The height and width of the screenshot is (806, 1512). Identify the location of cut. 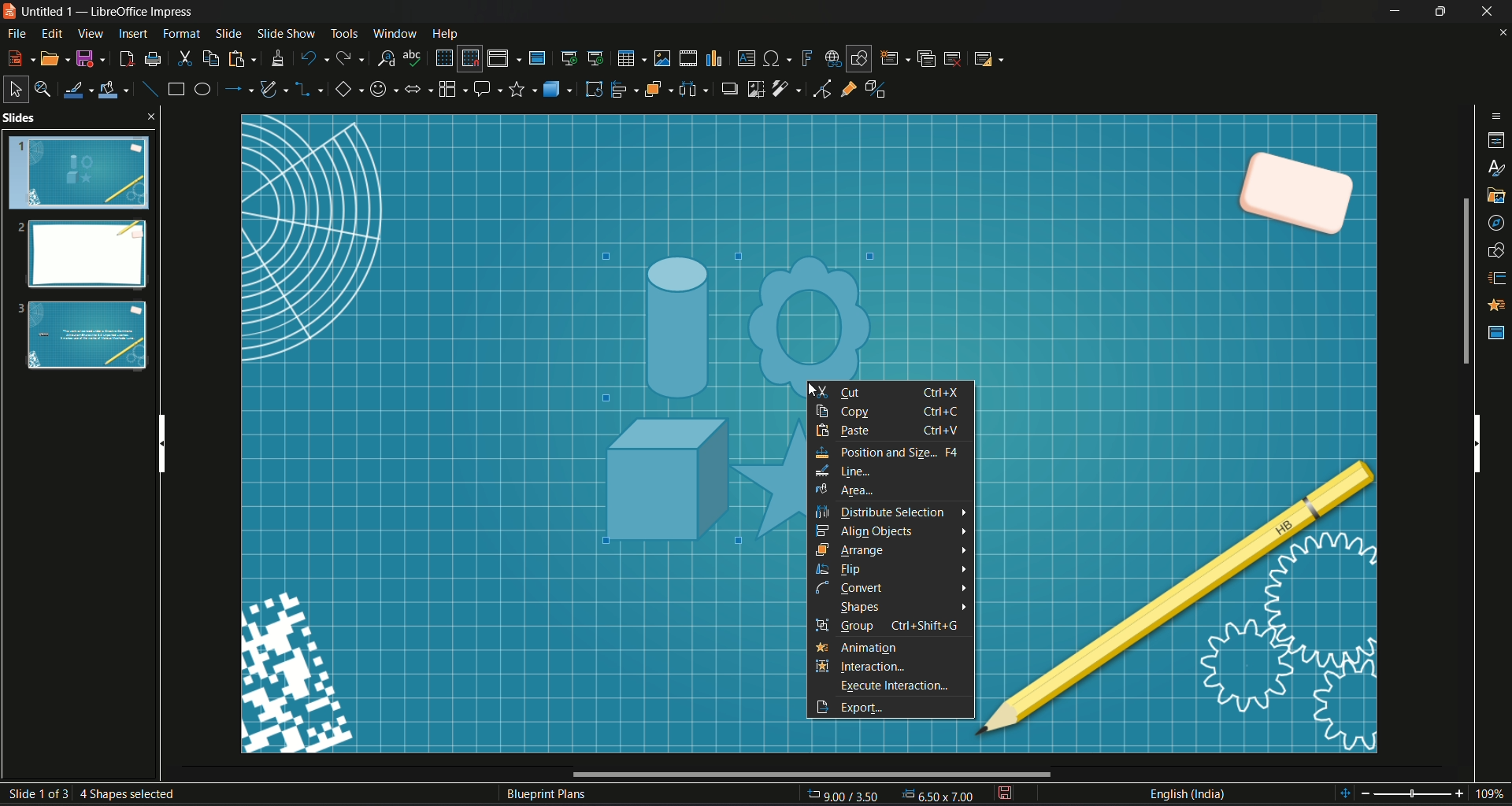
(890, 391).